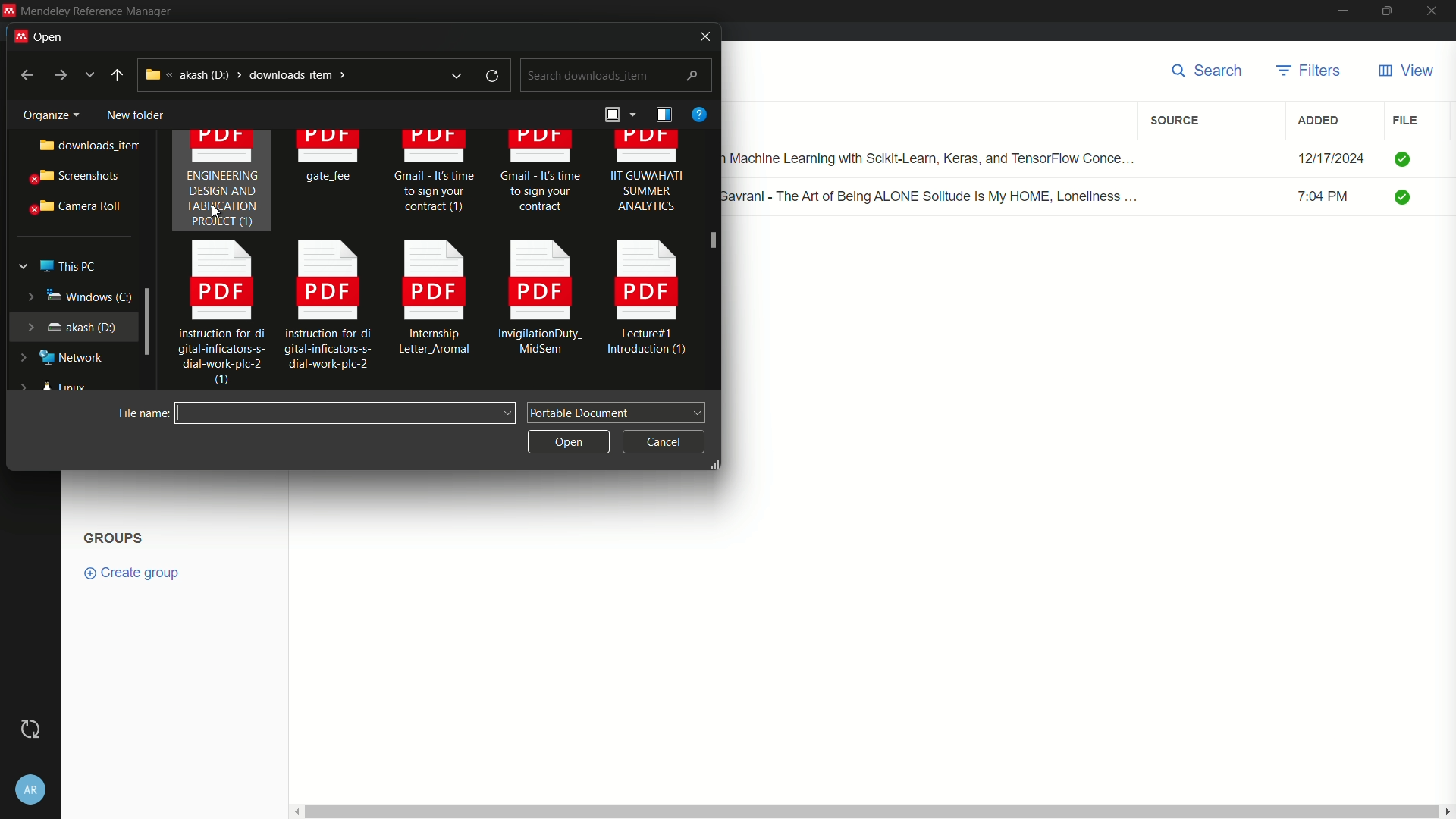 The width and height of the screenshot is (1456, 819). What do you see at coordinates (328, 304) in the screenshot?
I see `instruction-for-di
gital-inficators-s-
dial-work-plc-2` at bounding box center [328, 304].